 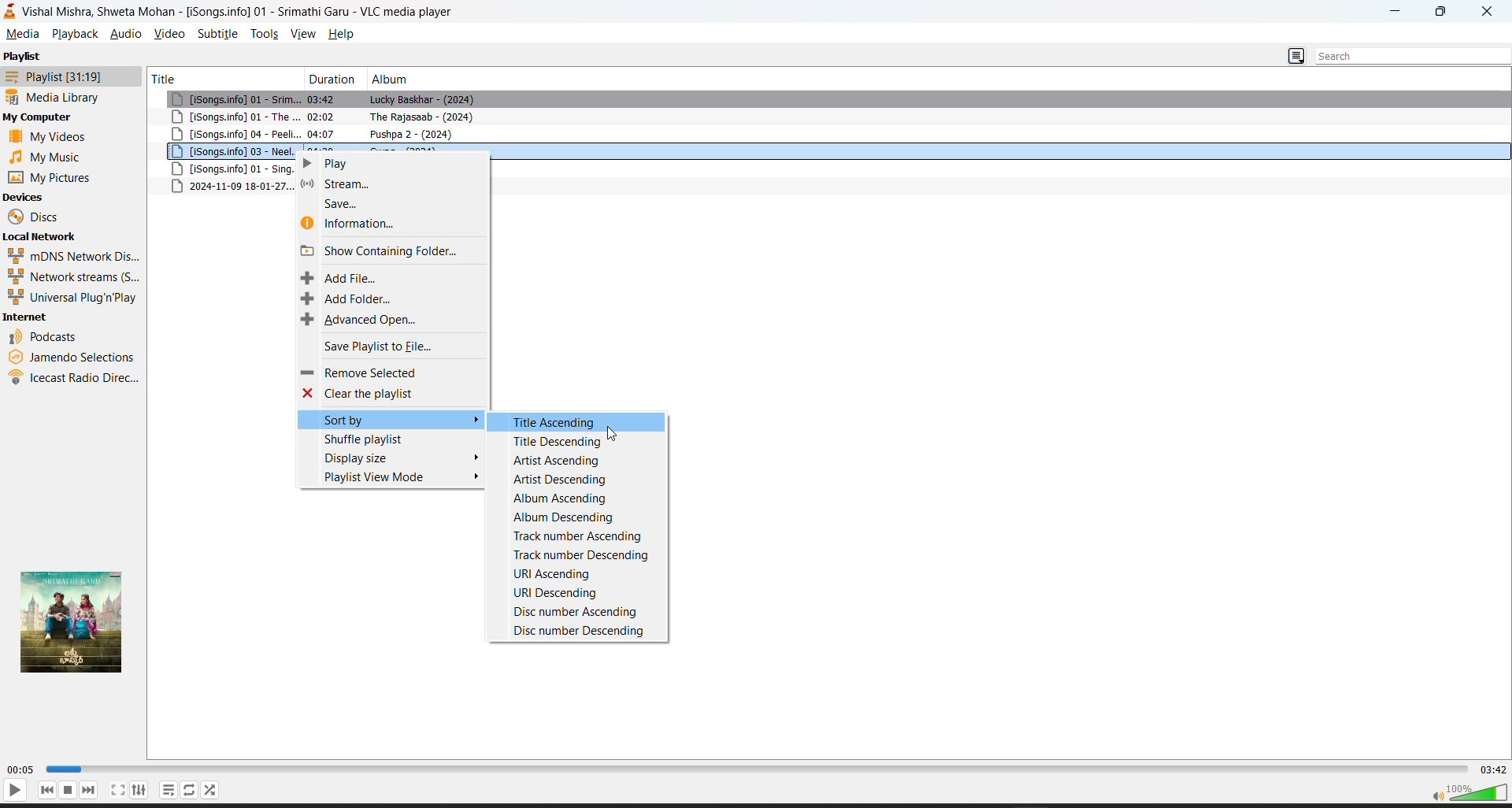 I want to click on playlist, so click(x=52, y=75).